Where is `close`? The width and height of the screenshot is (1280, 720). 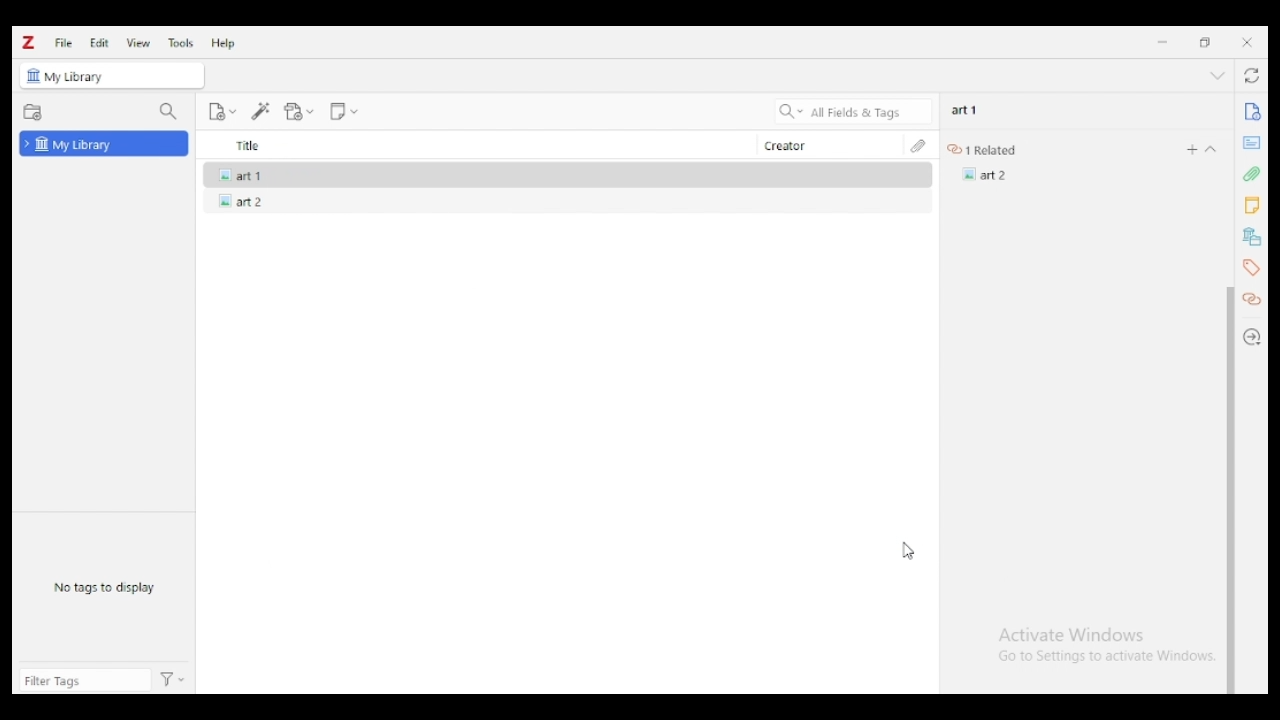 close is located at coordinates (1247, 42).